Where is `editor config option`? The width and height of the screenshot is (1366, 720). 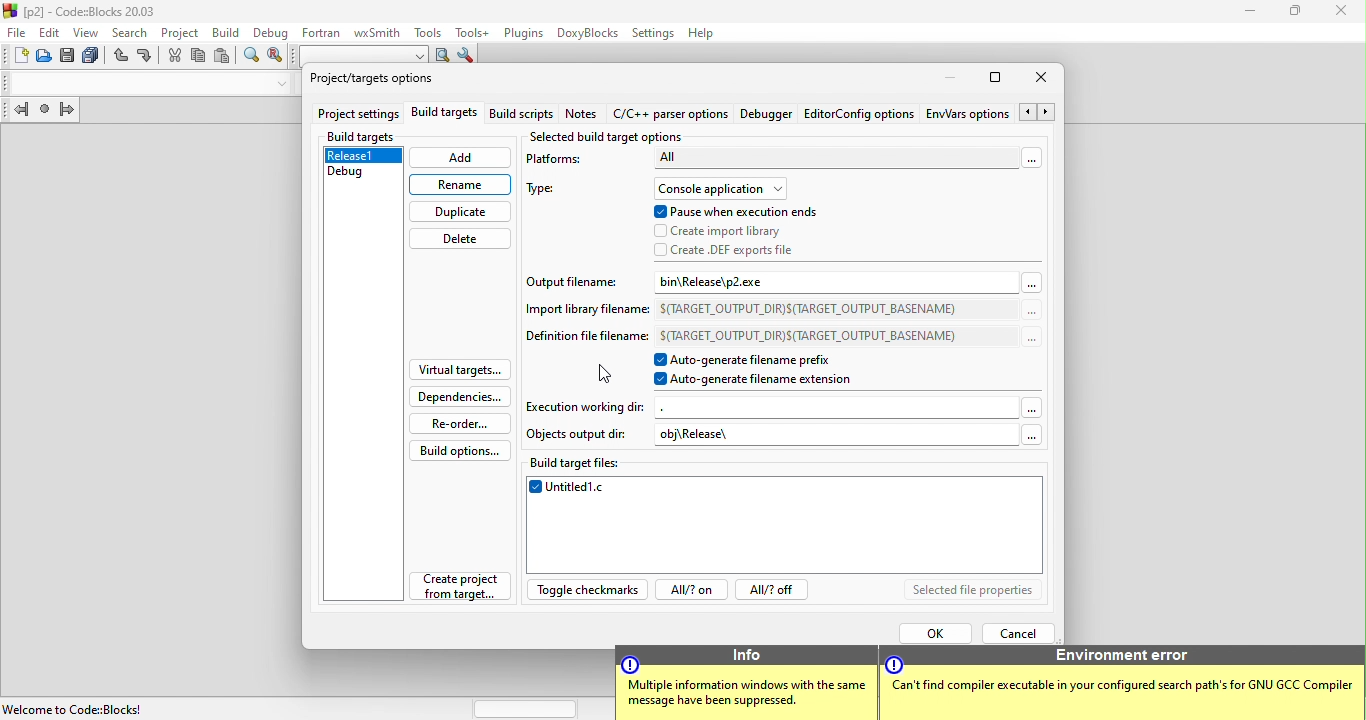 editor config option is located at coordinates (858, 114).